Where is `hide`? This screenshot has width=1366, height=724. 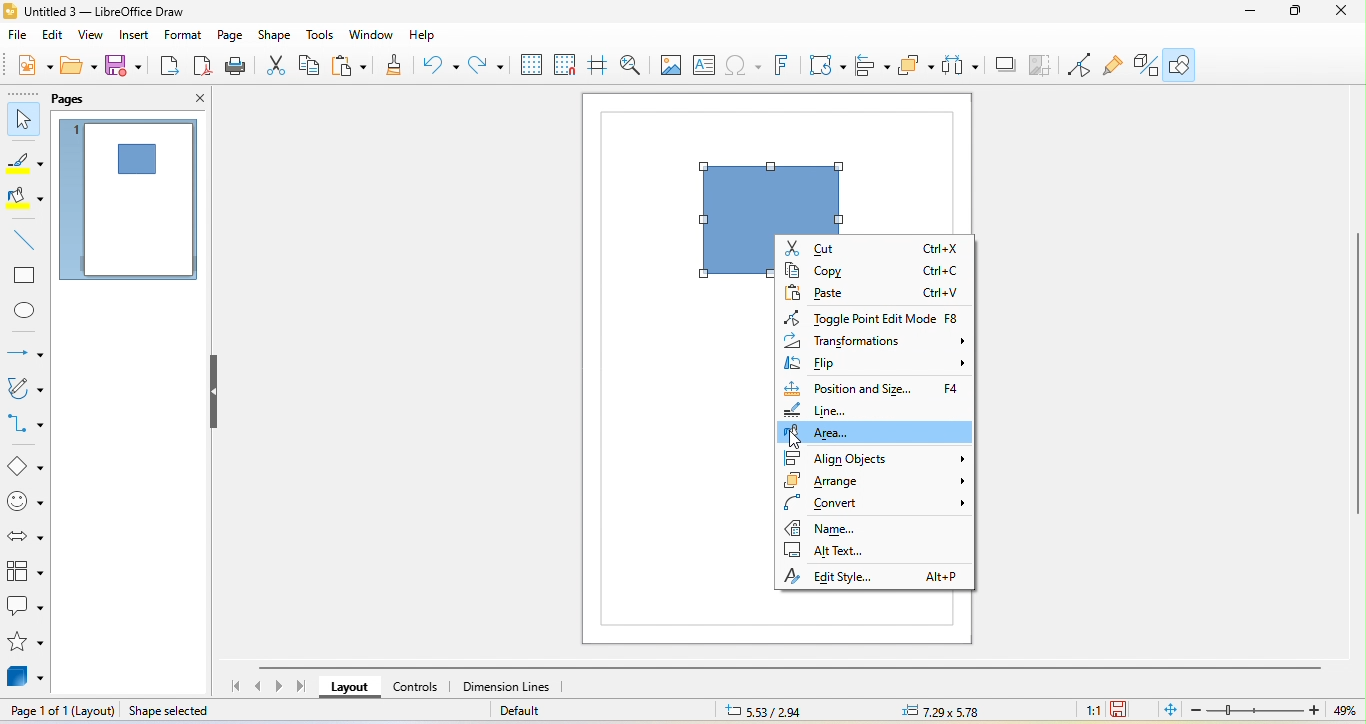 hide is located at coordinates (215, 393).